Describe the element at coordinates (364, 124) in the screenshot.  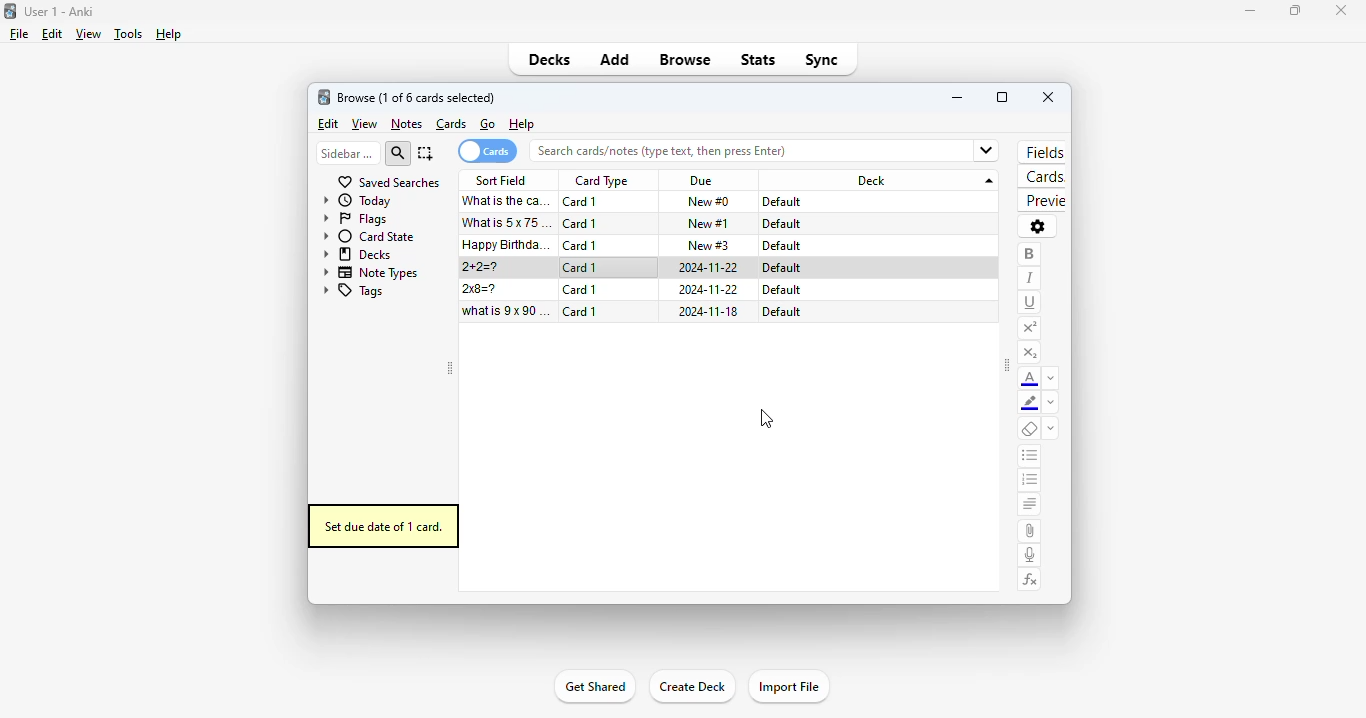
I see `view` at that location.